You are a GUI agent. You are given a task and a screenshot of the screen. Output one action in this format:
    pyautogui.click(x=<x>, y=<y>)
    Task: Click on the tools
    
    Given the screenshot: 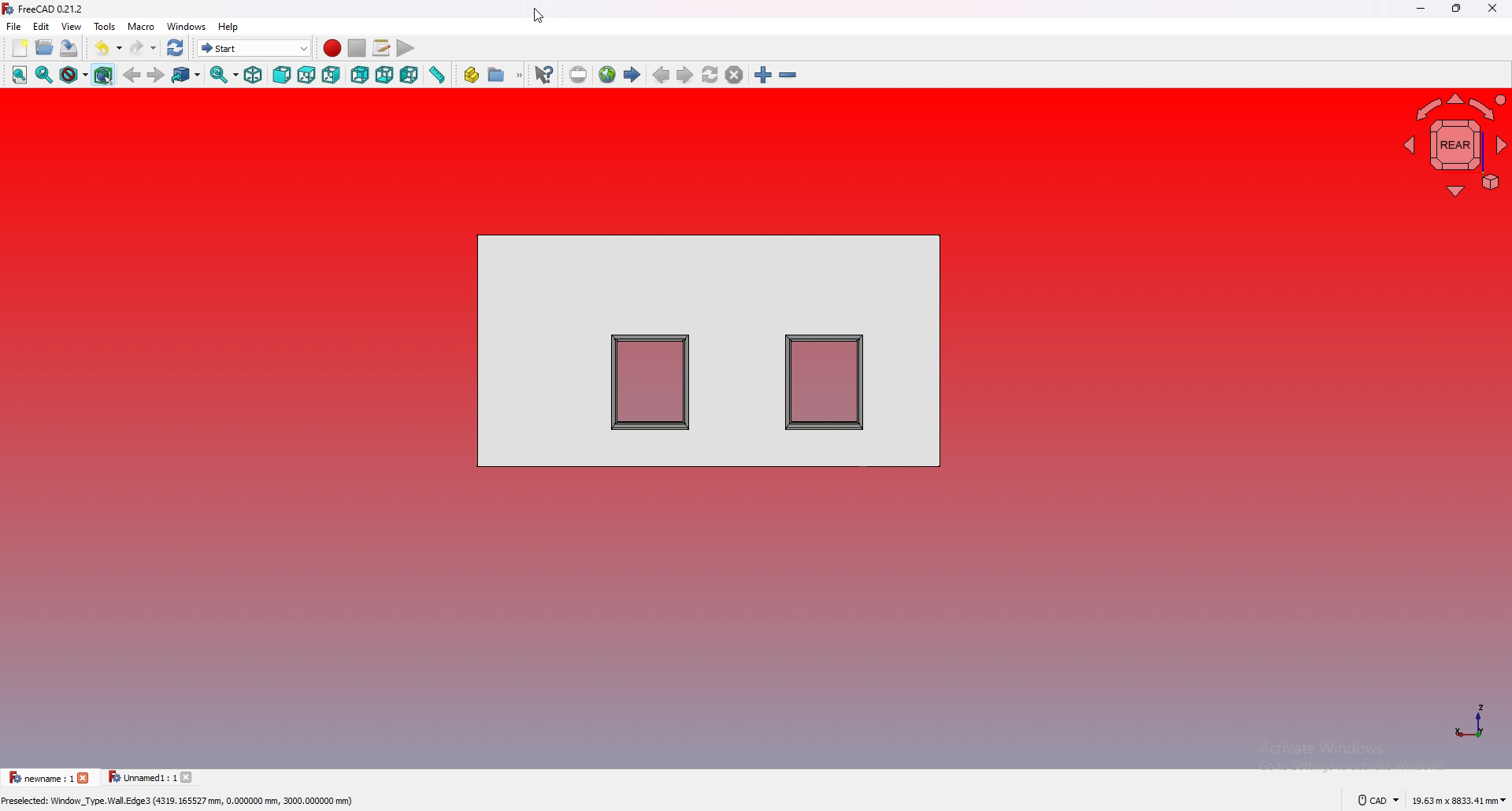 What is the action you would take?
    pyautogui.click(x=105, y=26)
    